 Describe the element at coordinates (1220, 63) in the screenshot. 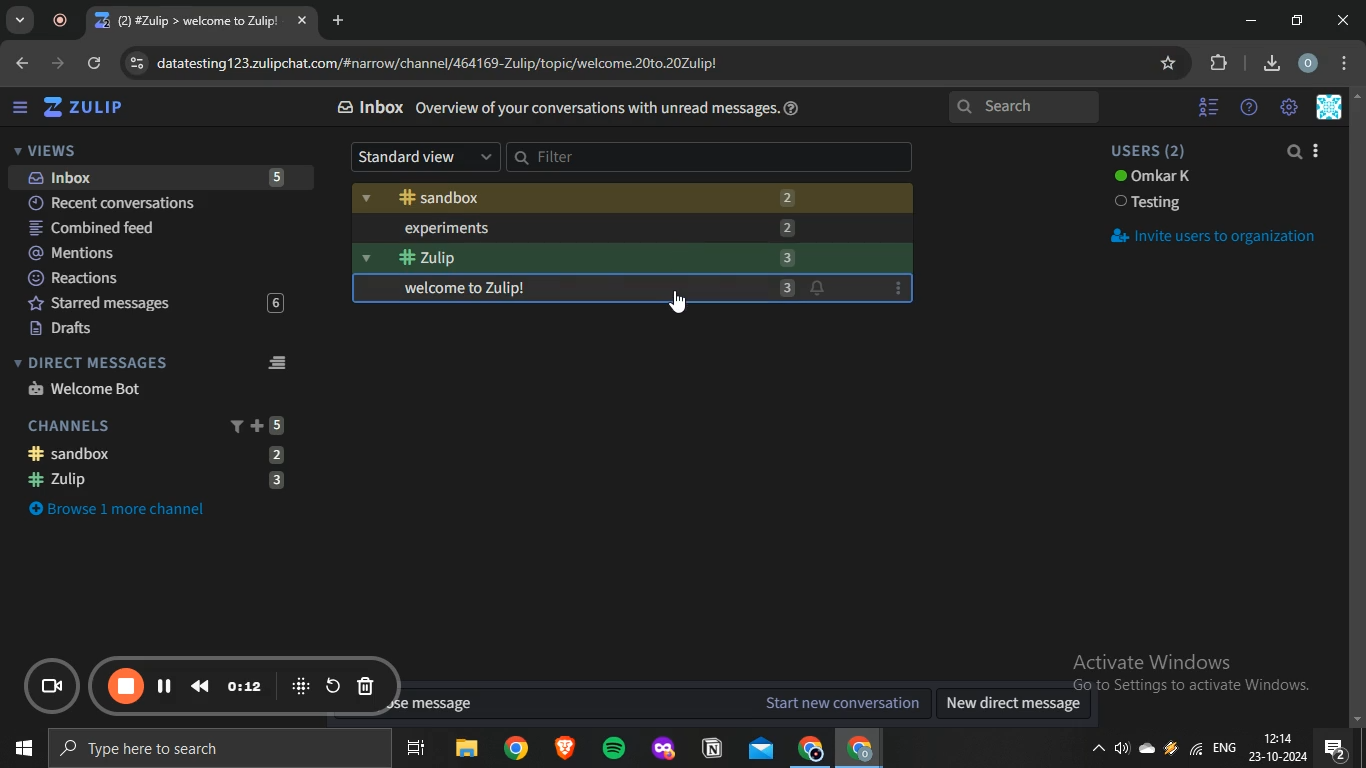

I see `extensions` at that location.